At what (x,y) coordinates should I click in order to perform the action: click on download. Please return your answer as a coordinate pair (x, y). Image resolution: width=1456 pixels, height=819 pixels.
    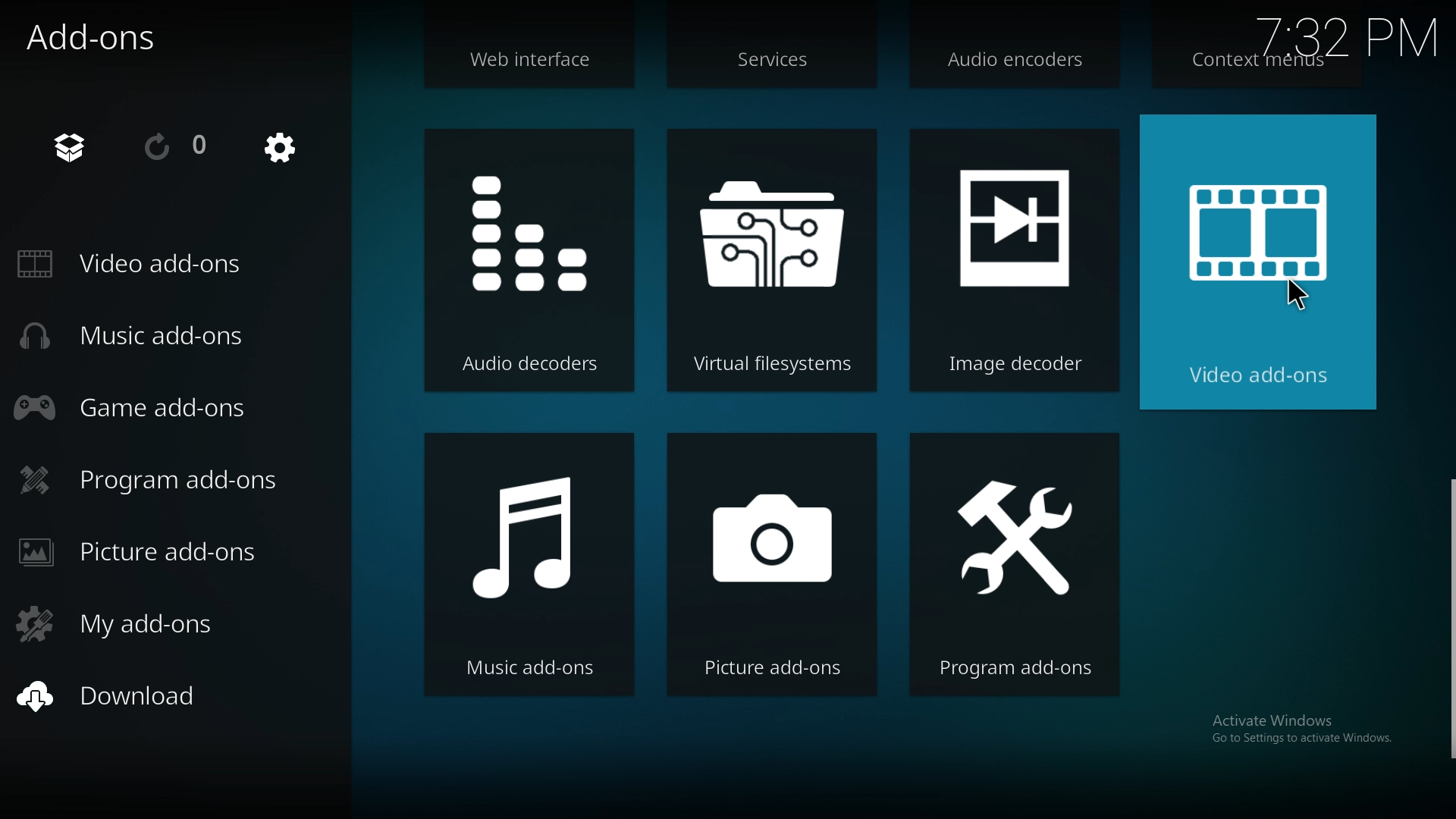
    Looking at the image, I should click on (139, 698).